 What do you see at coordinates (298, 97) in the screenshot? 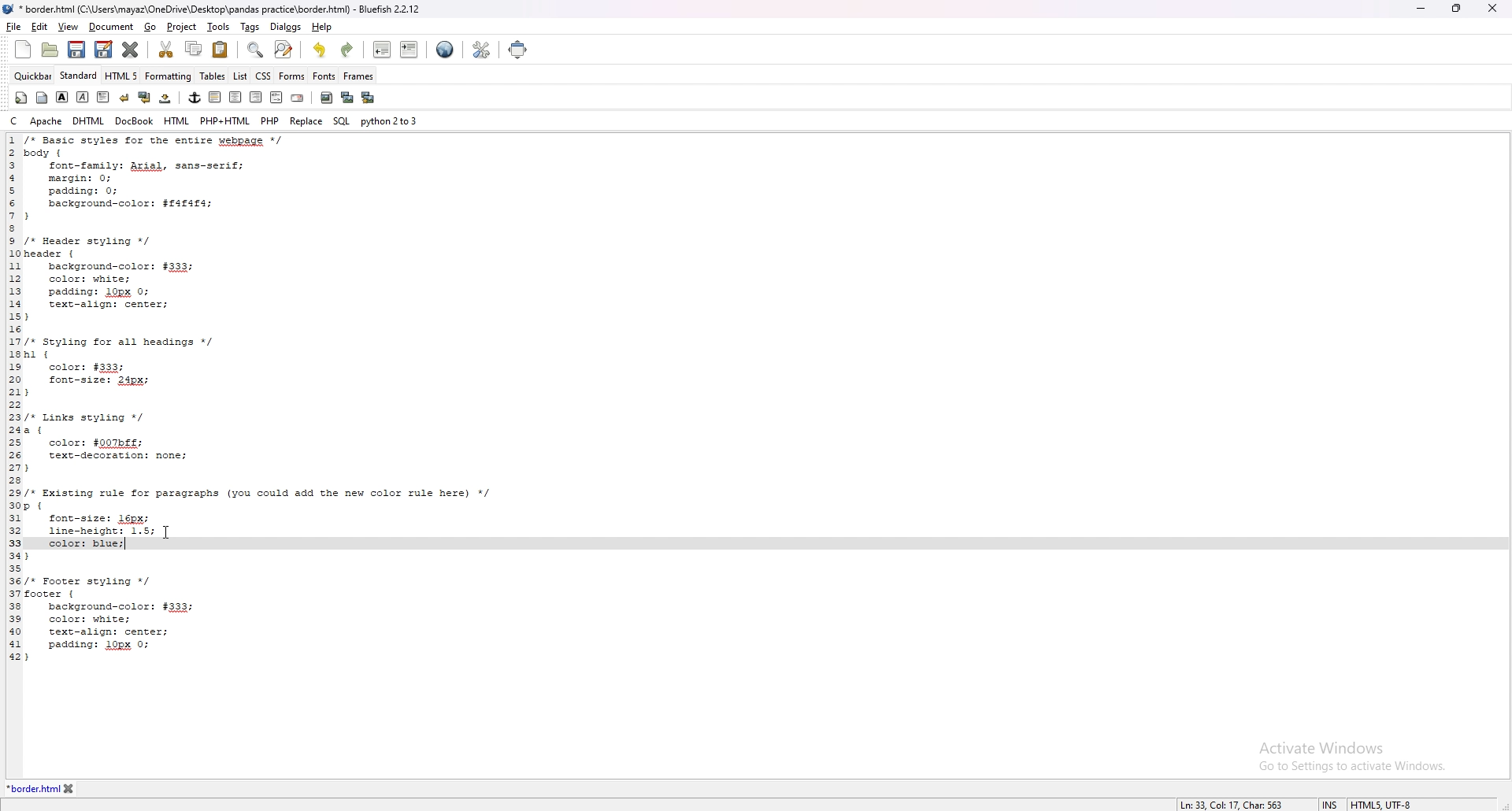
I see `email` at bounding box center [298, 97].